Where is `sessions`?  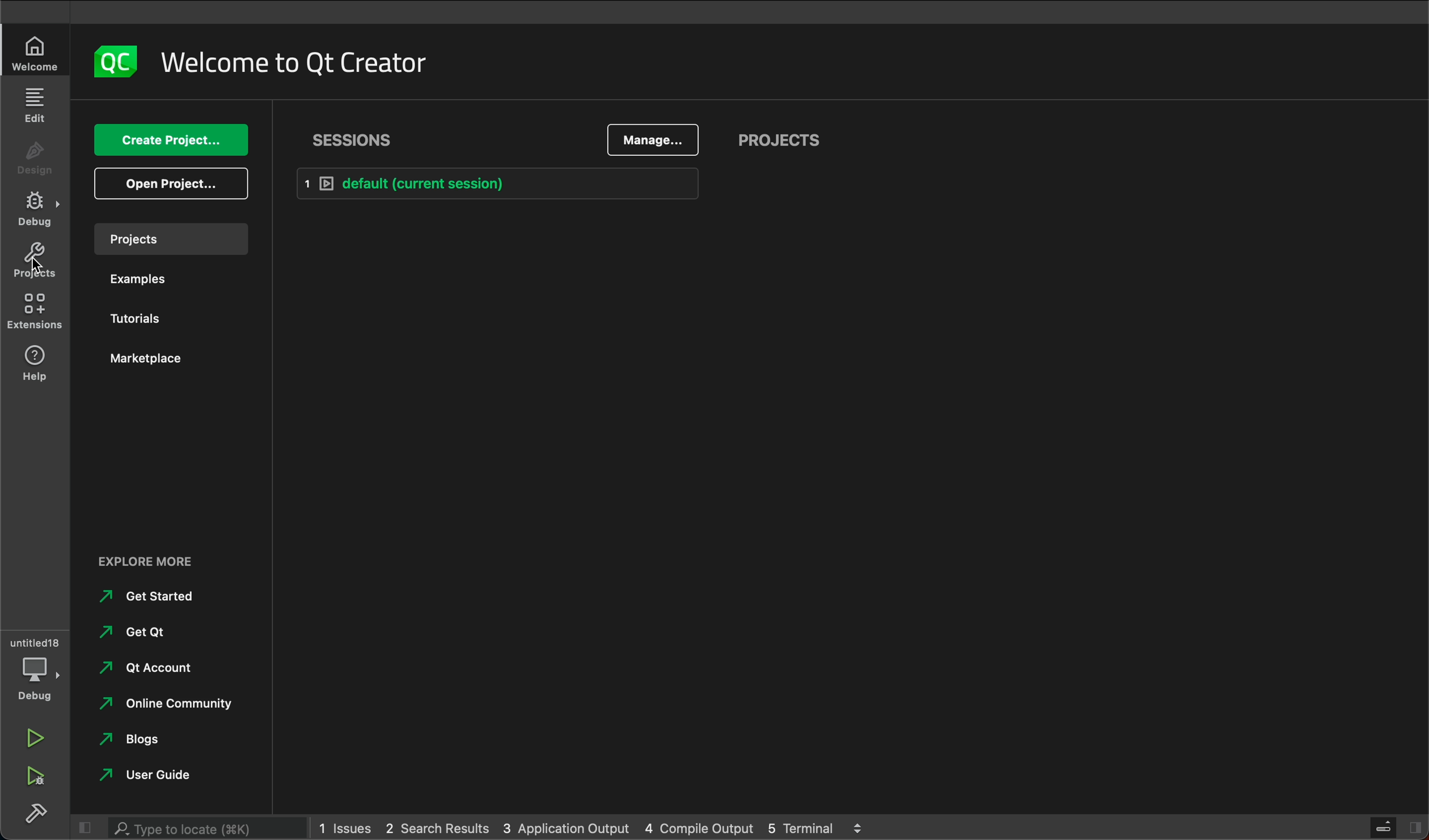
sessions is located at coordinates (358, 141).